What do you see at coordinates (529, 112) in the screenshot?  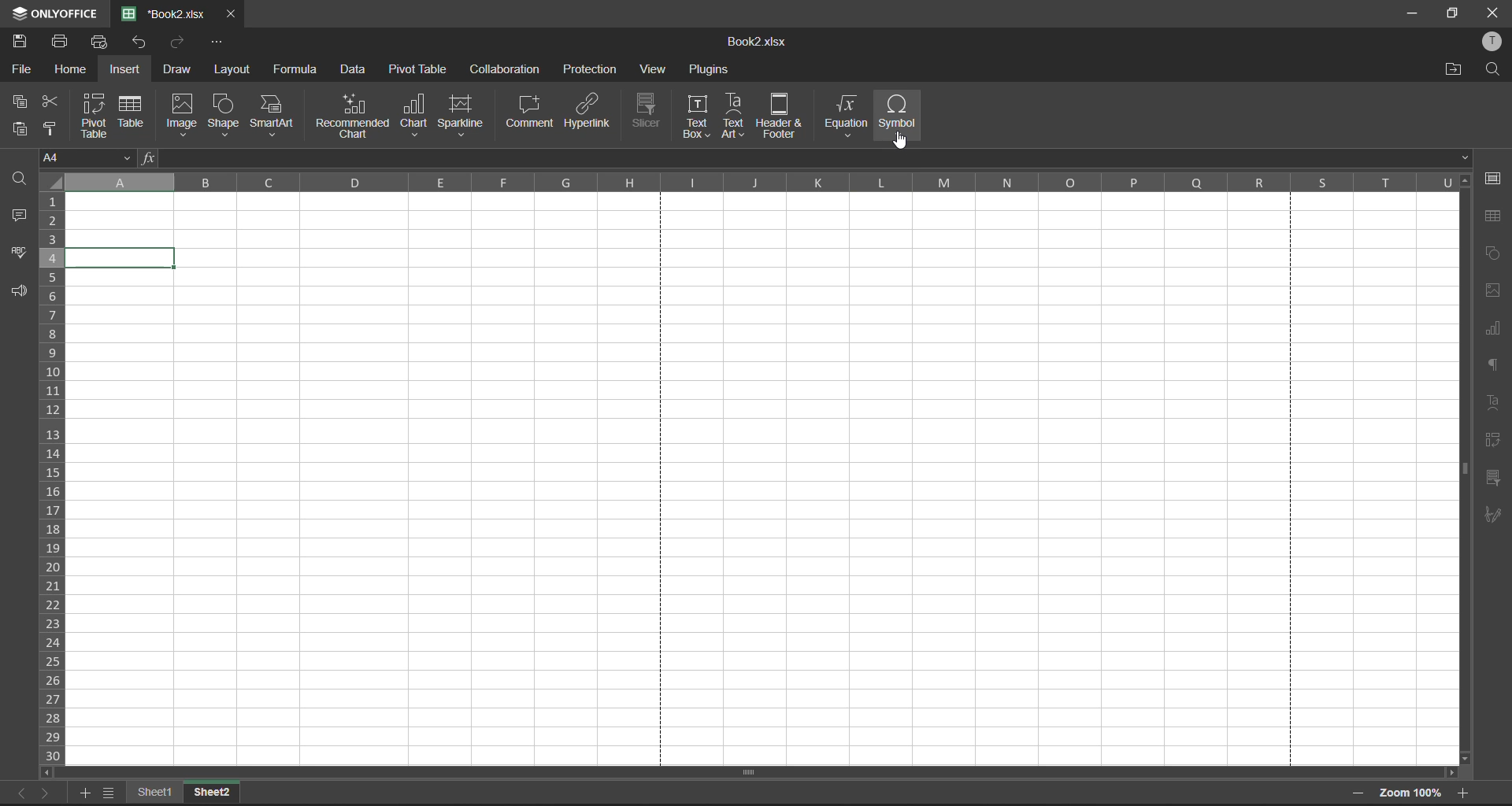 I see `comment` at bounding box center [529, 112].